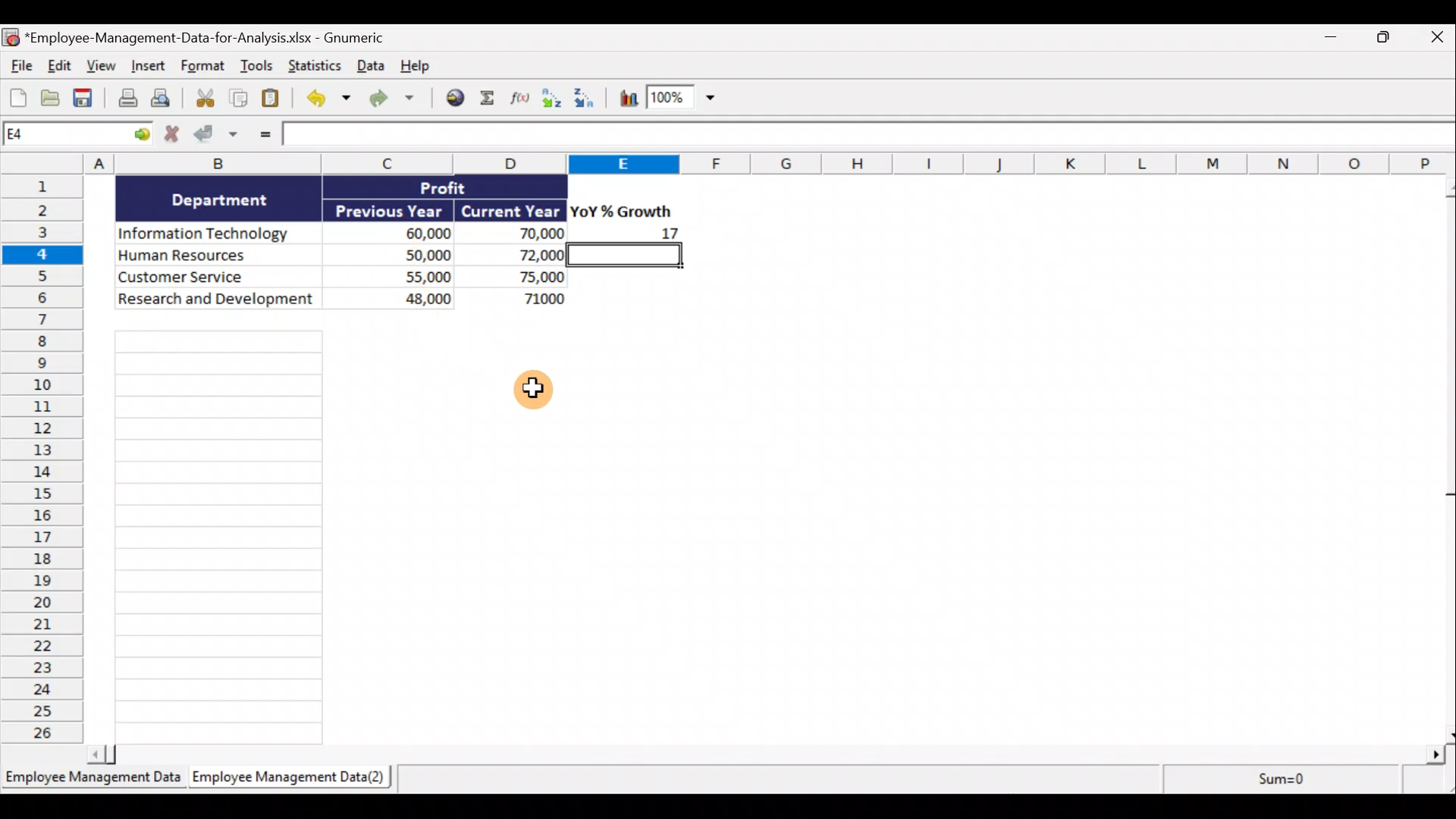 The height and width of the screenshot is (819, 1456). What do you see at coordinates (284, 778) in the screenshot?
I see `Sheet 2` at bounding box center [284, 778].